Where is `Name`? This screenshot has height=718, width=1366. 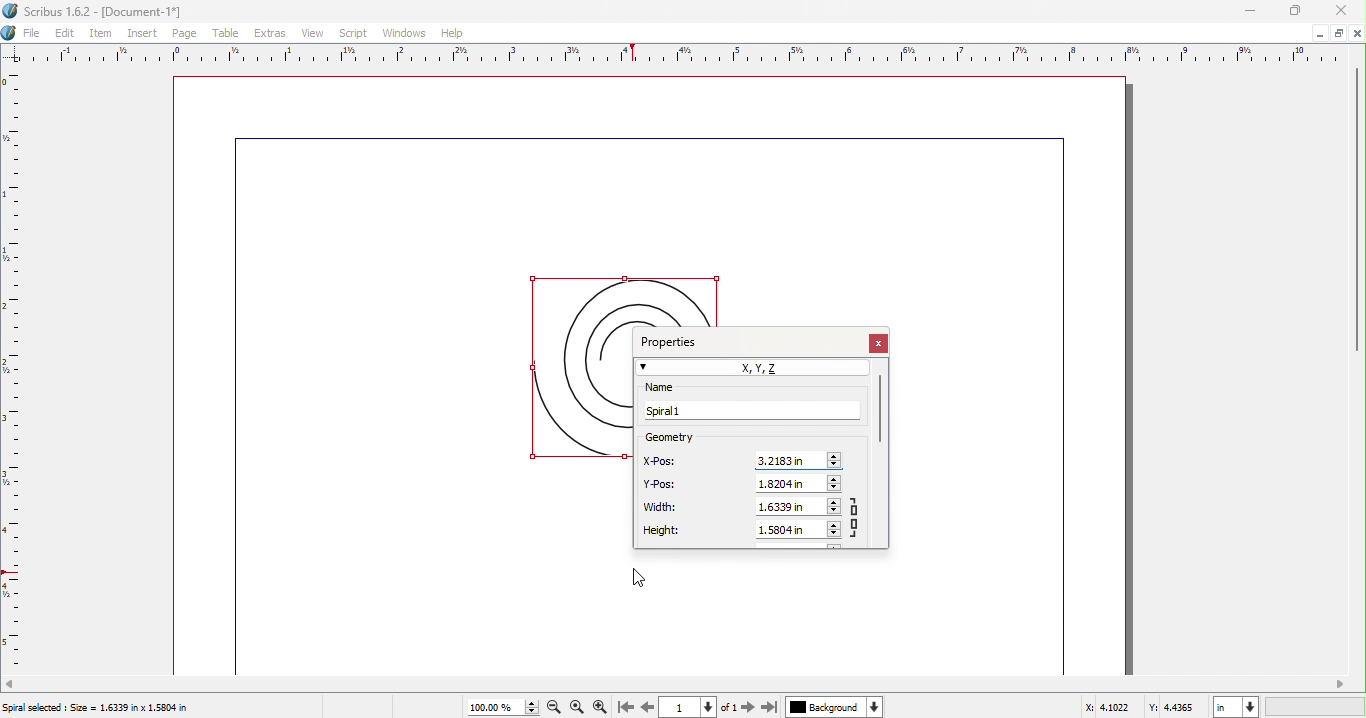 Name is located at coordinates (681, 388).